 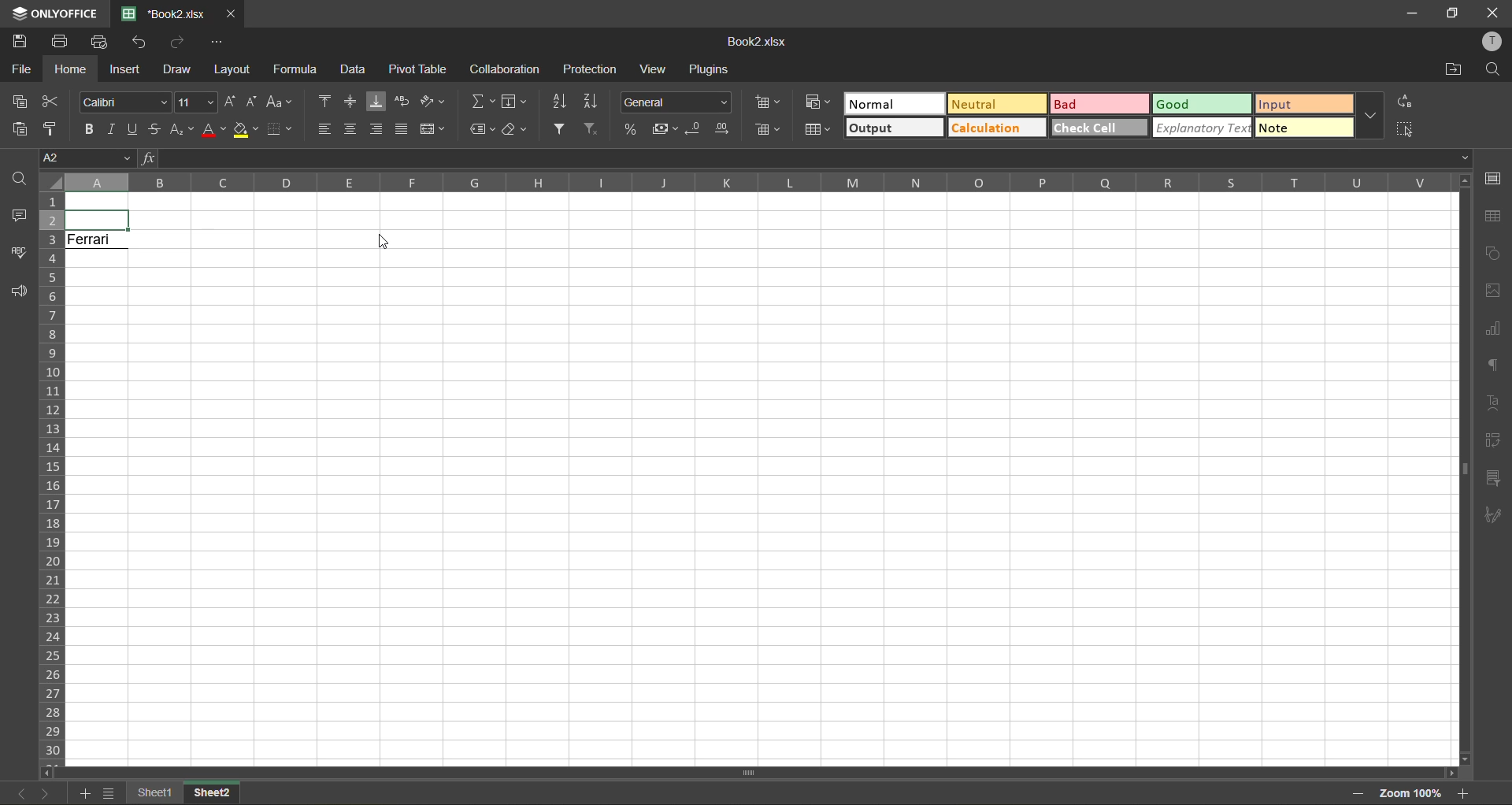 I want to click on spellcheck, so click(x=19, y=253).